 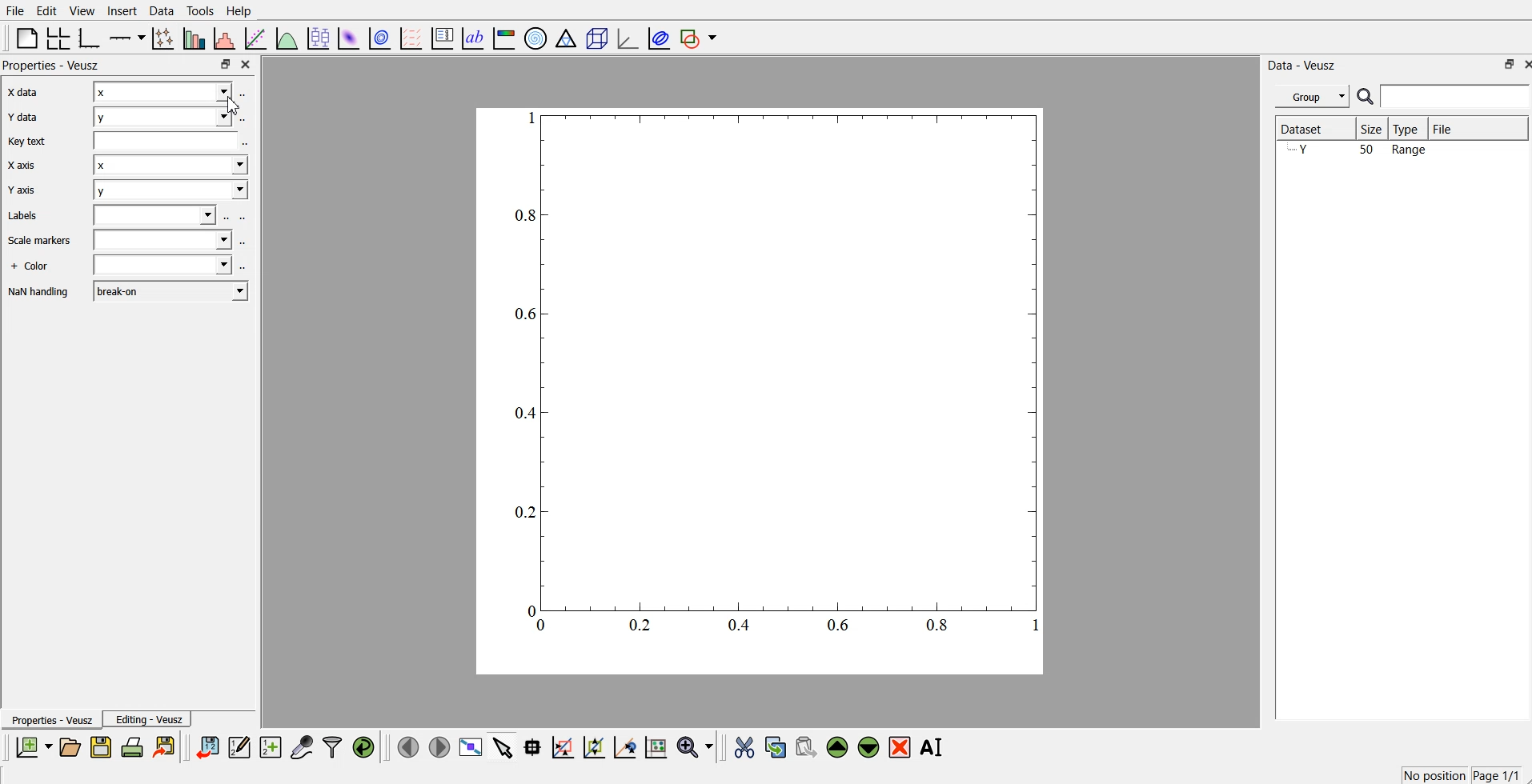 I want to click on plot covariance ellipses, so click(x=658, y=37).